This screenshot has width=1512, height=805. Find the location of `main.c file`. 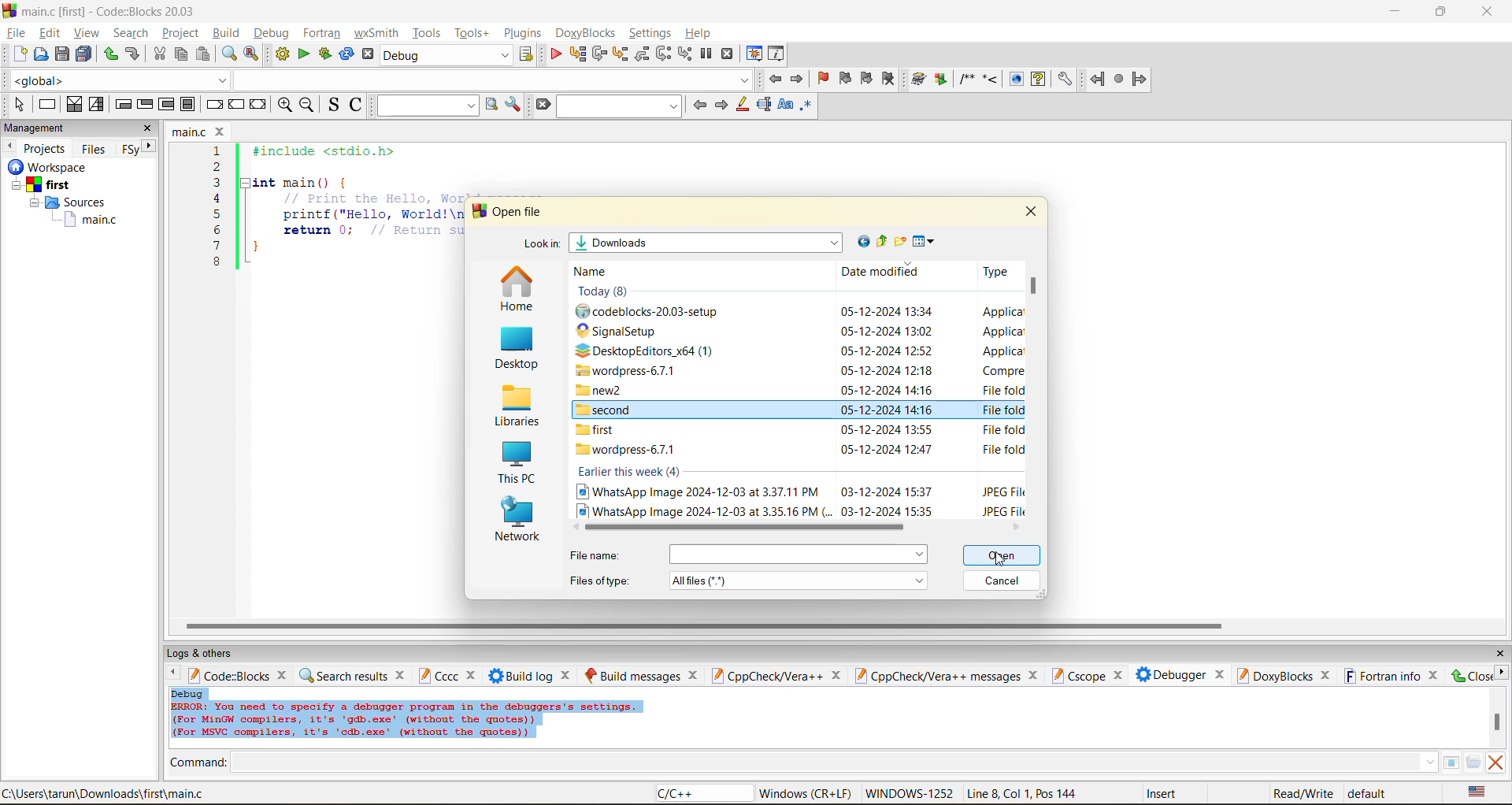

main.c file is located at coordinates (91, 221).